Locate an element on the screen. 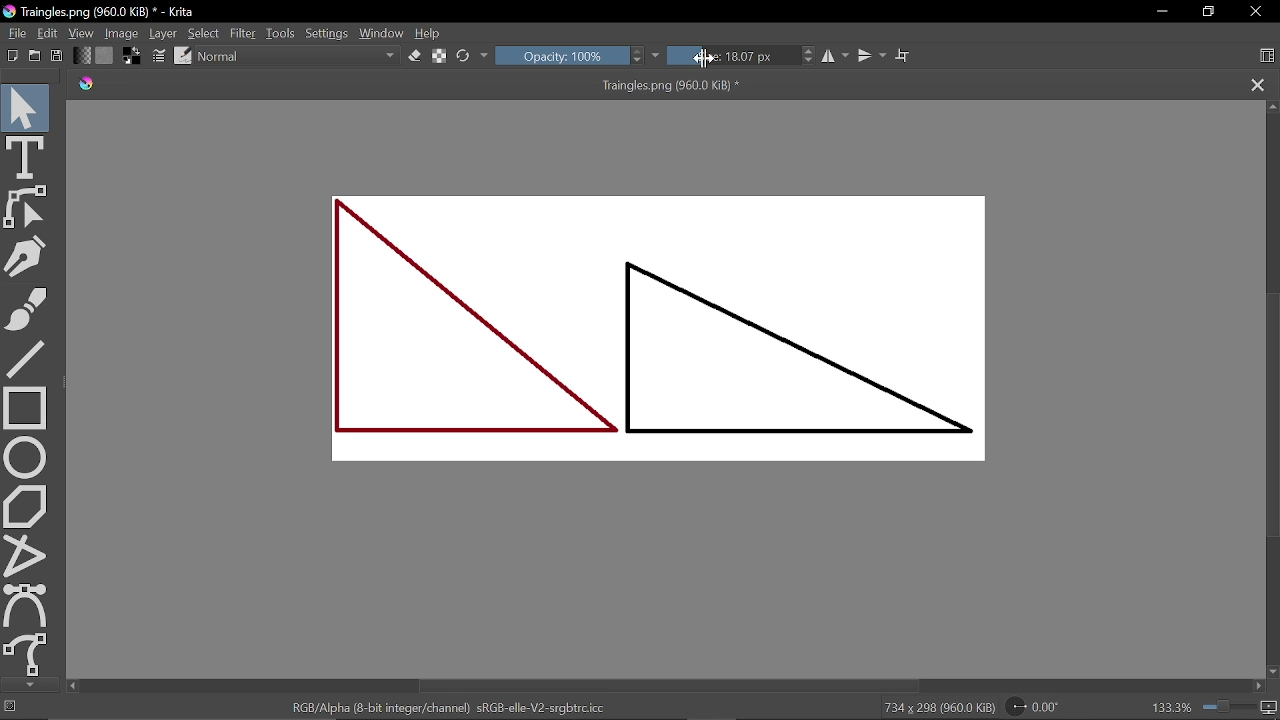  Edit is located at coordinates (47, 33).